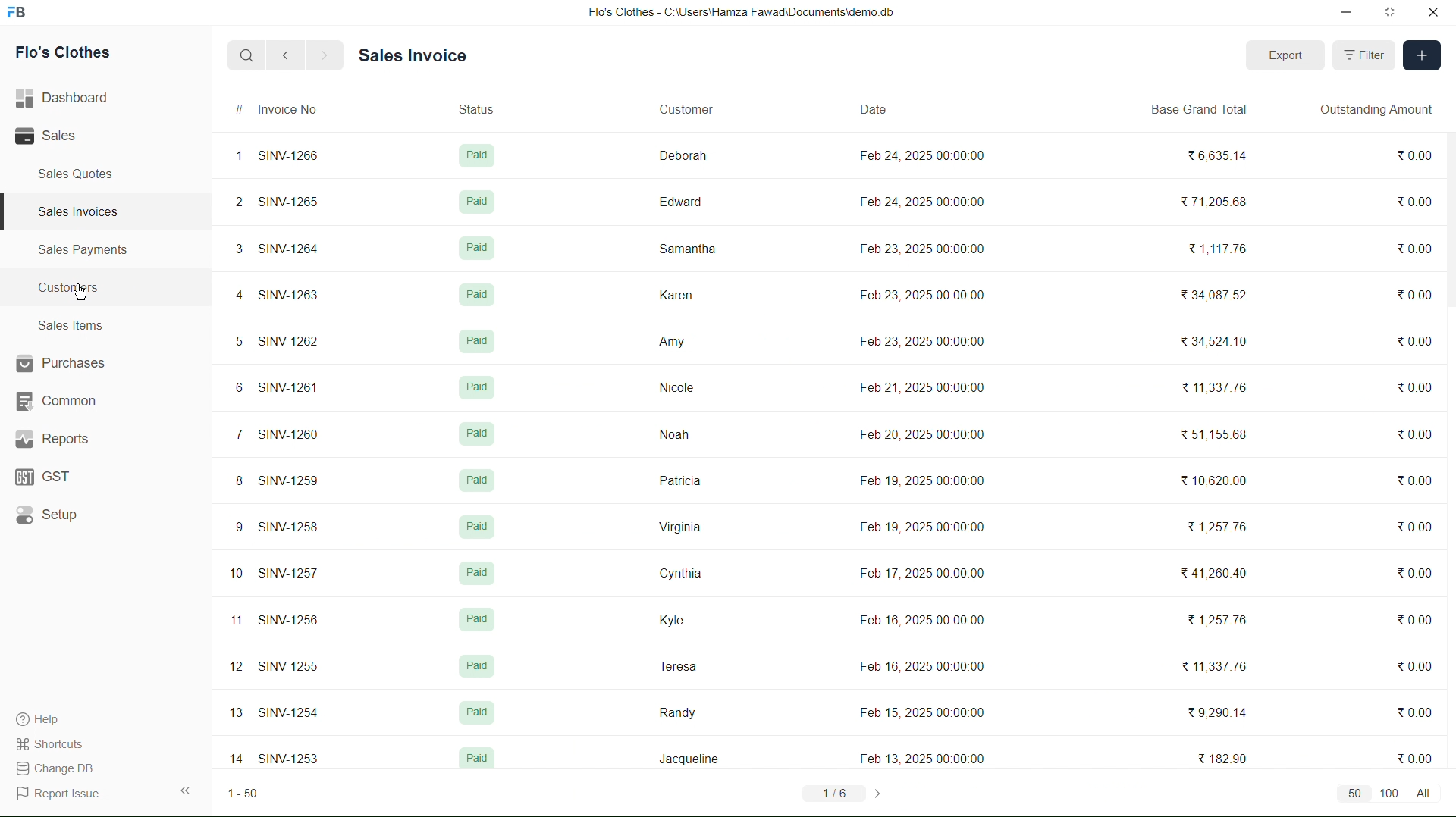 This screenshot has height=817, width=1456. What do you see at coordinates (920, 617) in the screenshot?
I see `Feb 16, 2025 00:00:00` at bounding box center [920, 617].